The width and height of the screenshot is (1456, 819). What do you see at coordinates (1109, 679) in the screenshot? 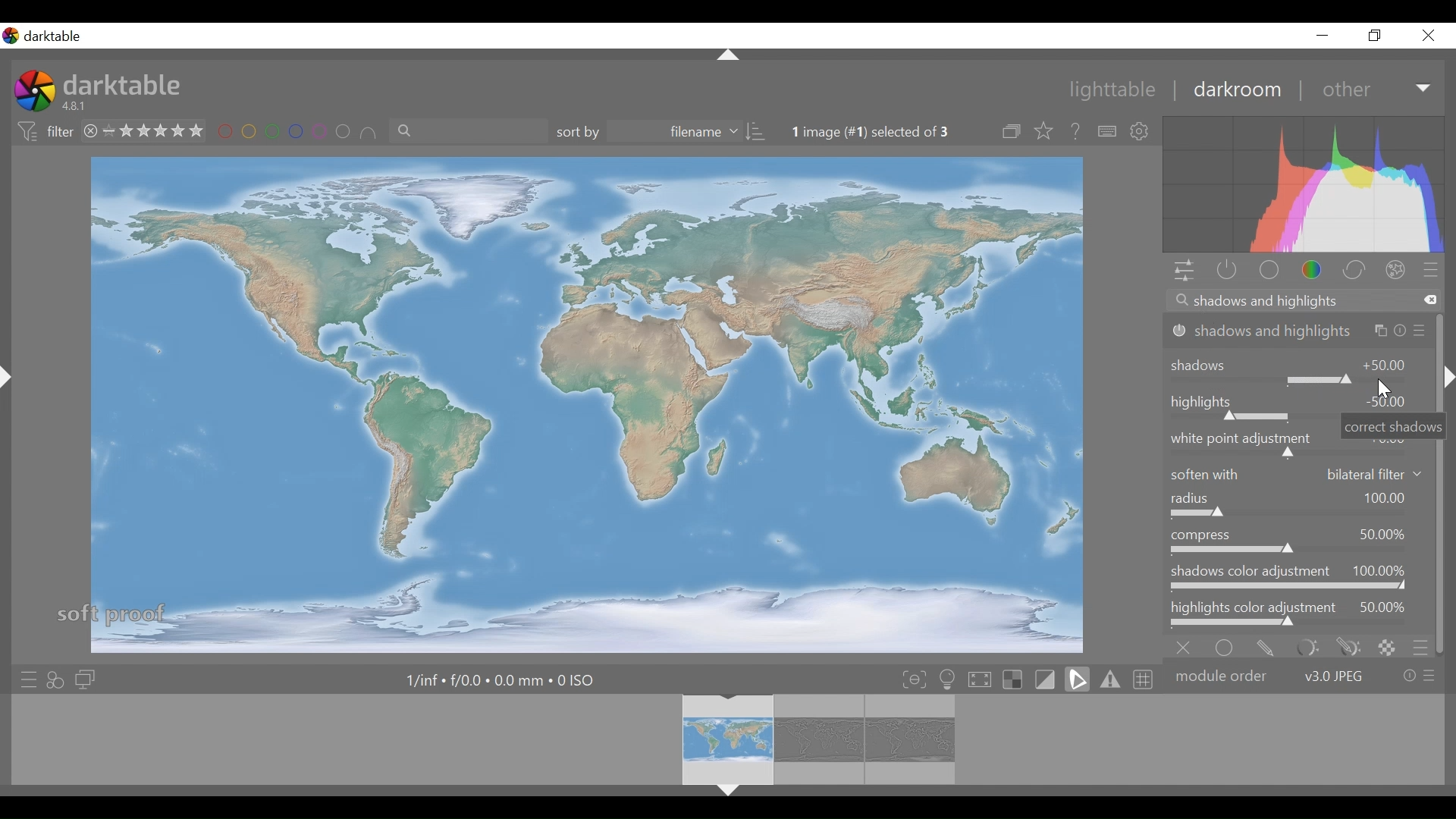
I see `toggle gamut checking` at bounding box center [1109, 679].